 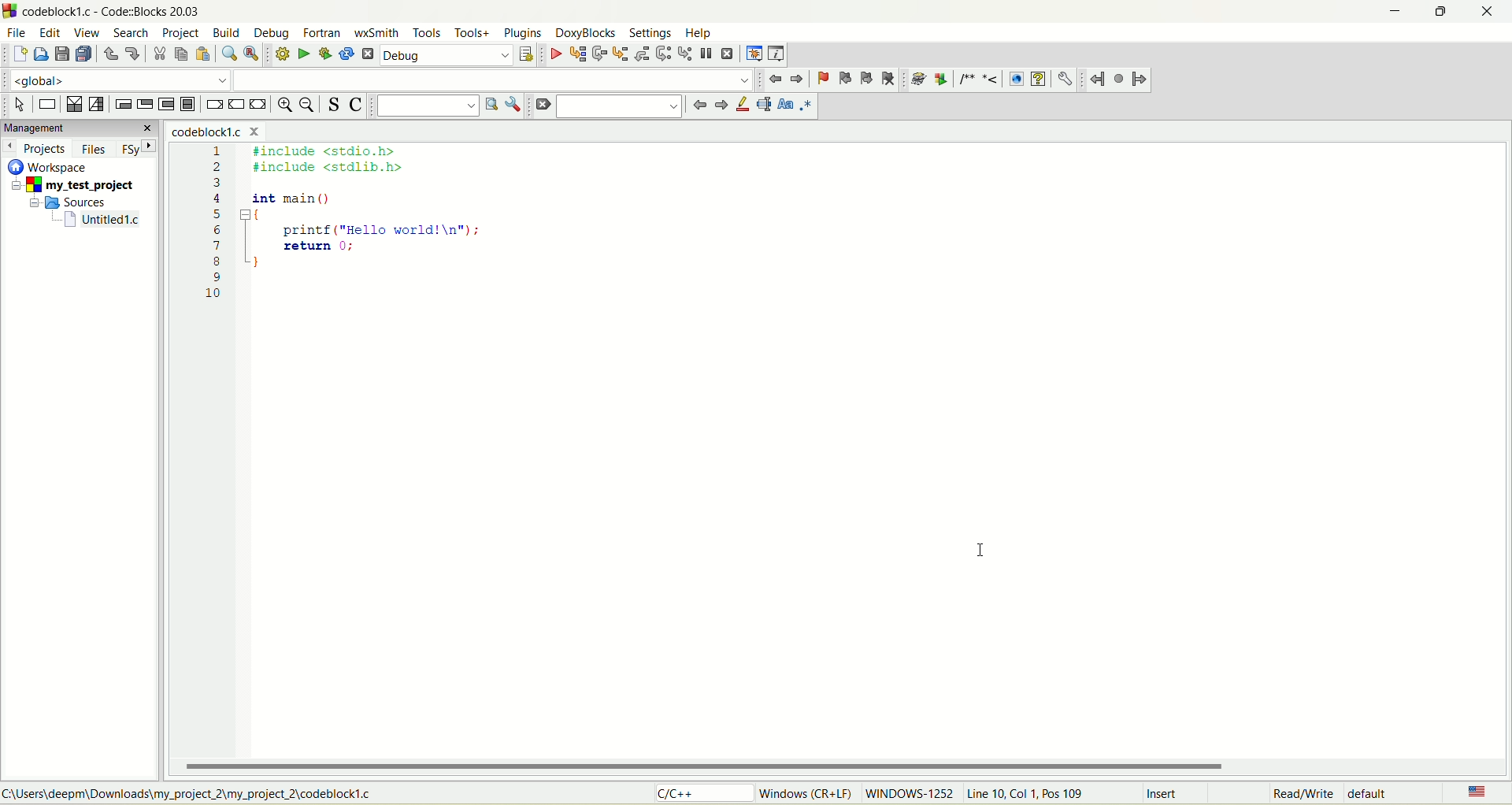 What do you see at coordinates (110, 57) in the screenshot?
I see `undo` at bounding box center [110, 57].